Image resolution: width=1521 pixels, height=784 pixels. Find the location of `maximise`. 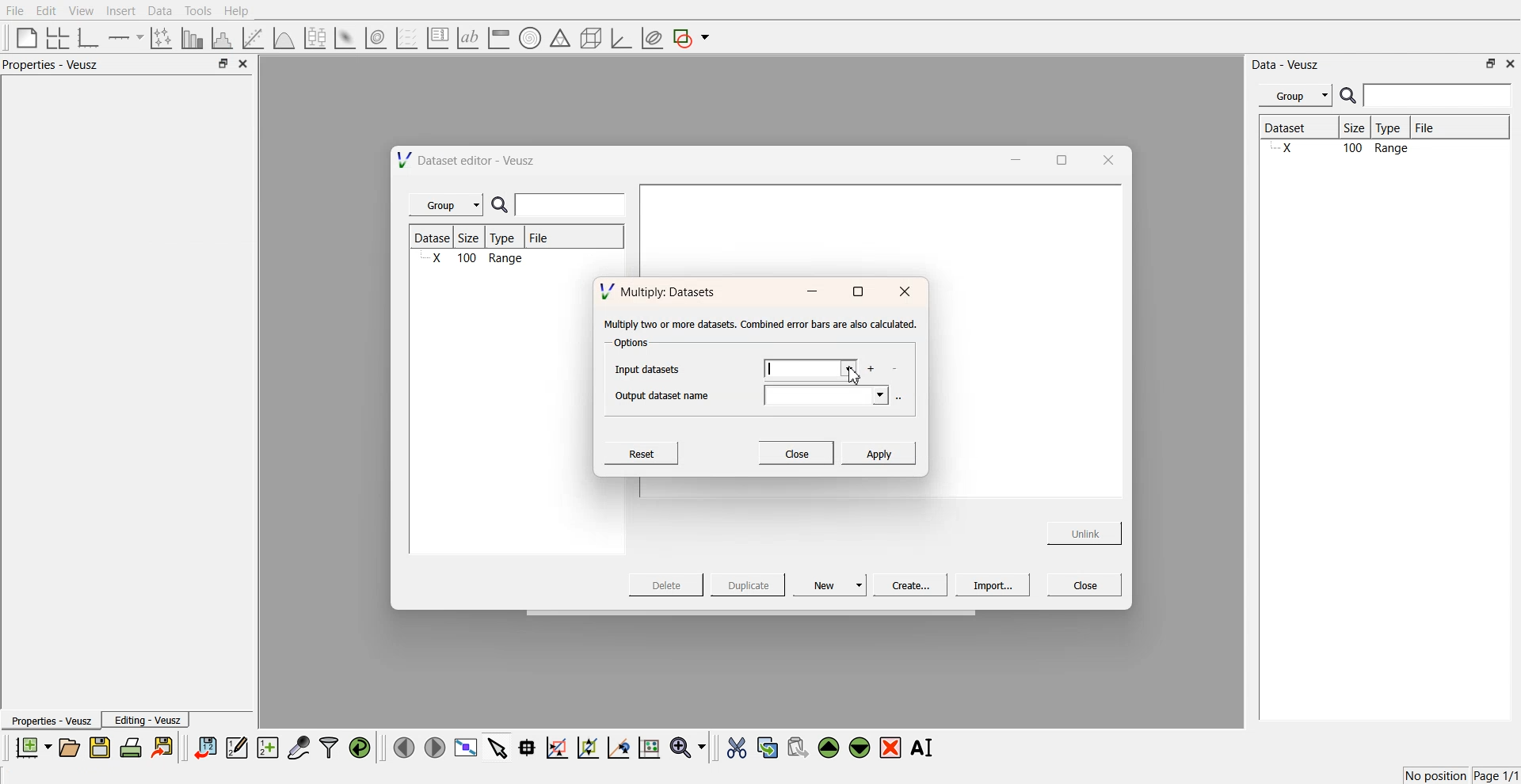

maximise is located at coordinates (1057, 158).